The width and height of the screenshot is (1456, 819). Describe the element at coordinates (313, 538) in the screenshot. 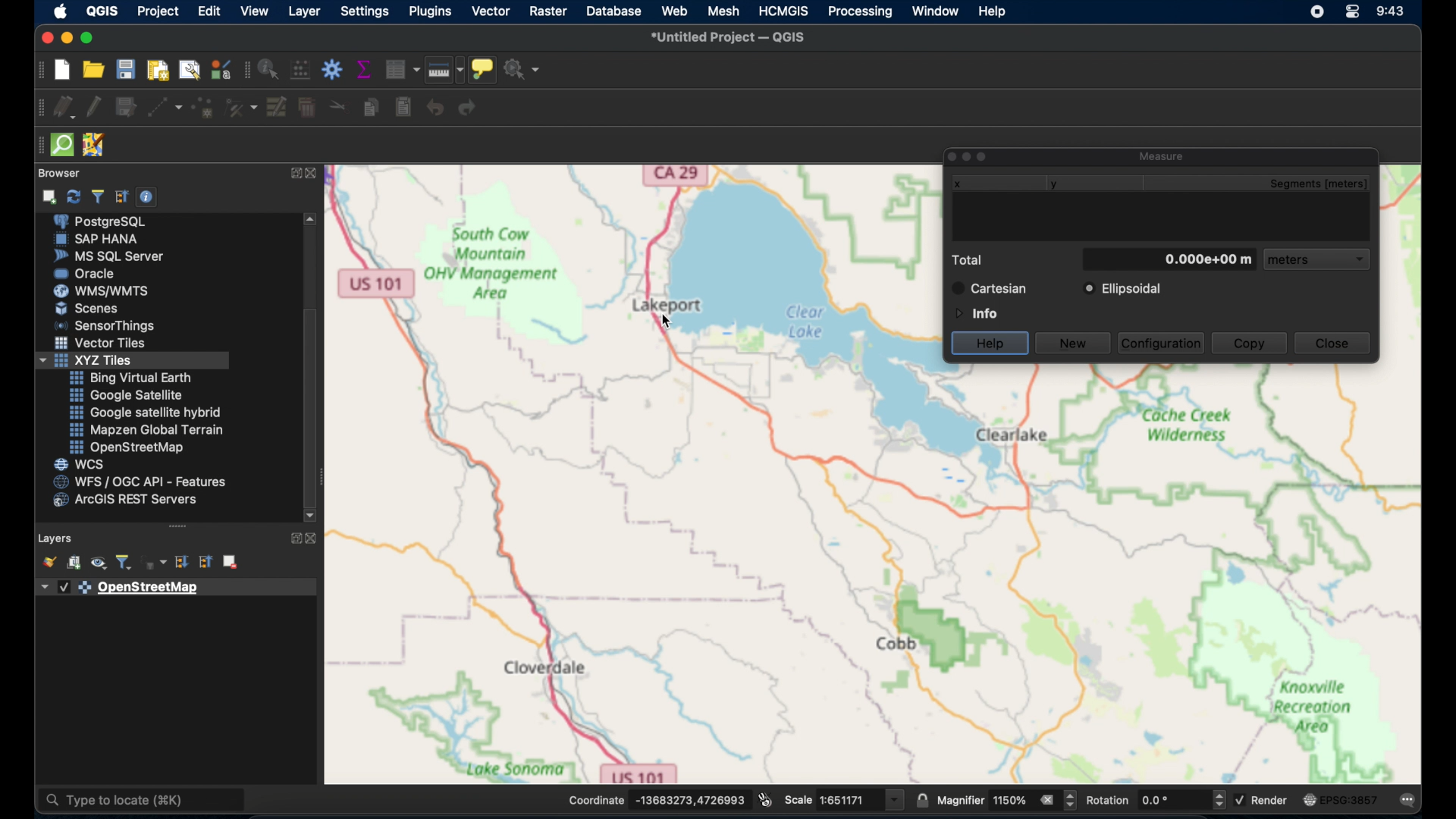

I see `close` at that location.